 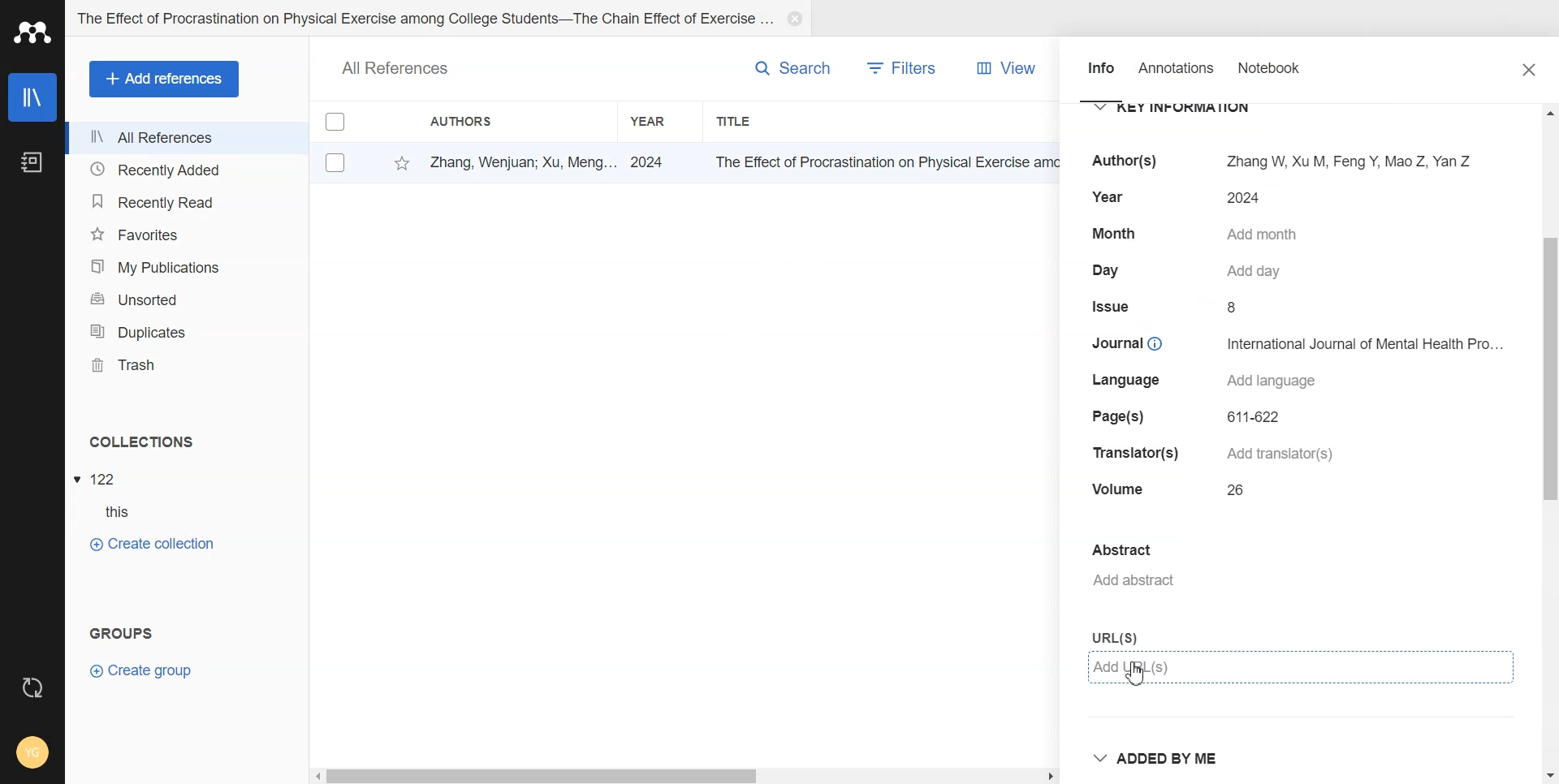 What do you see at coordinates (491, 122) in the screenshot?
I see `Authors` at bounding box center [491, 122].